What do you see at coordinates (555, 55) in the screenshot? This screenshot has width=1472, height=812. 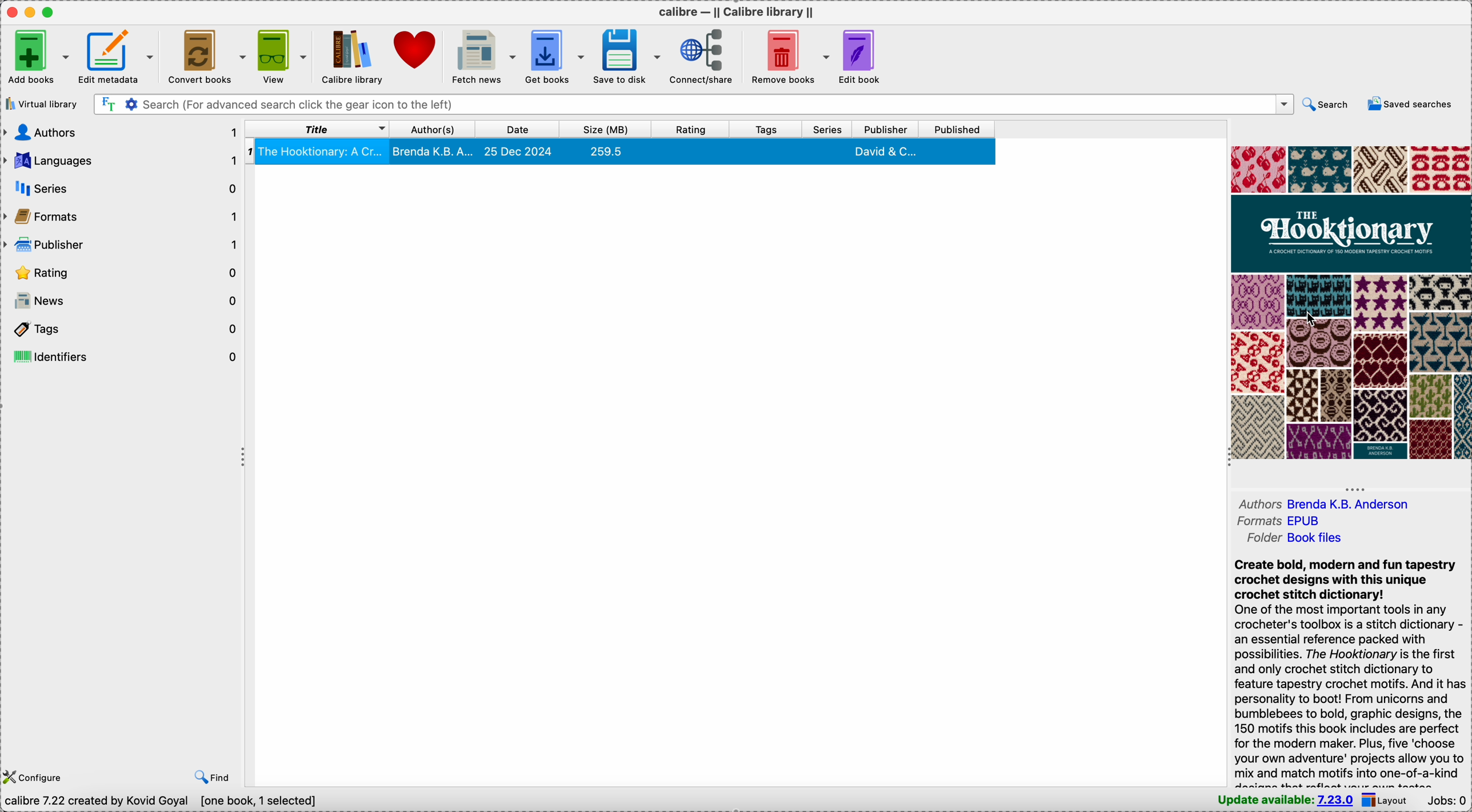 I see `get books` at bounding box center [555, 55].